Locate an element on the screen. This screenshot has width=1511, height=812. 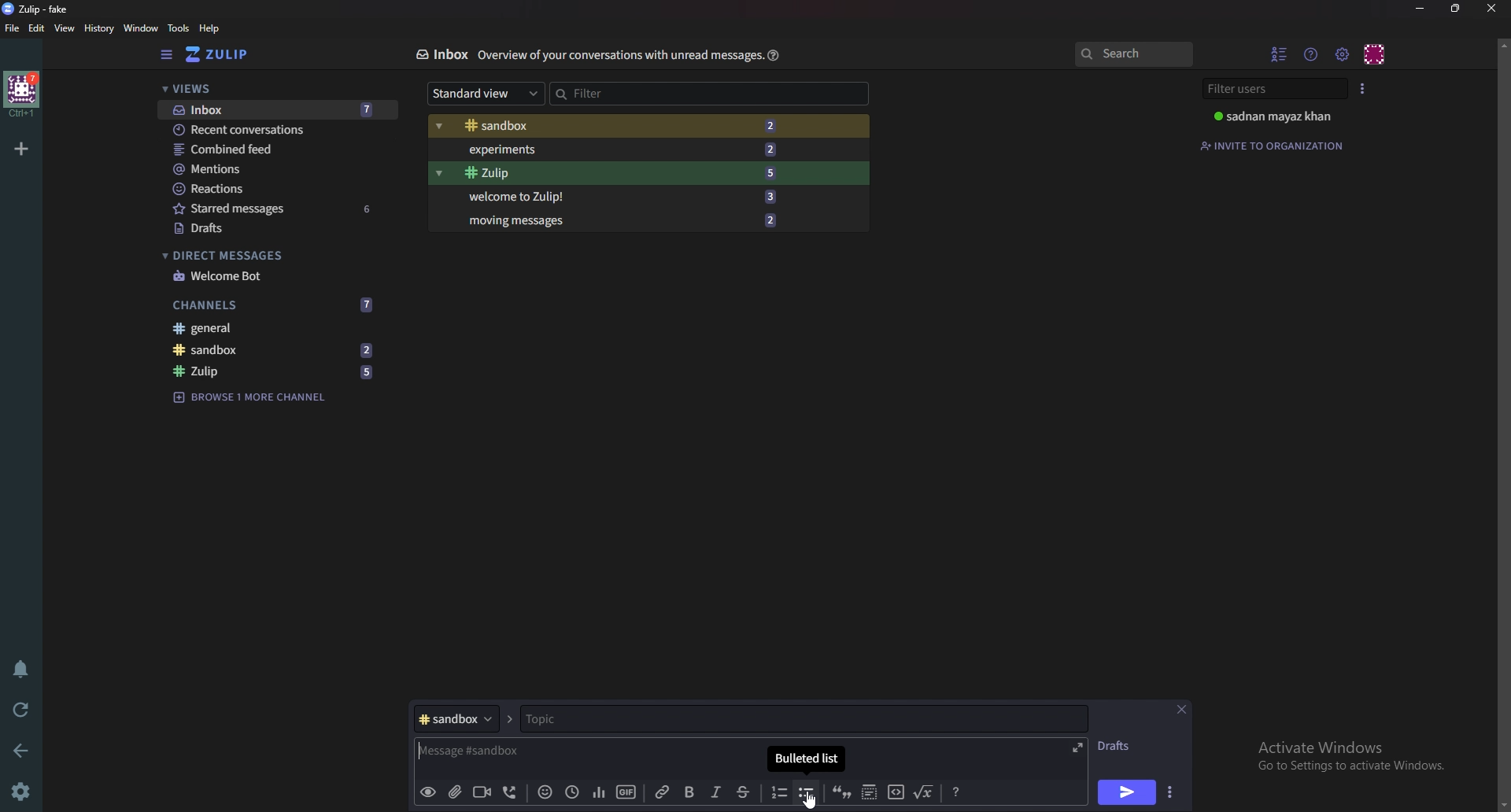
User list style is located at coordinates (1362, 88).